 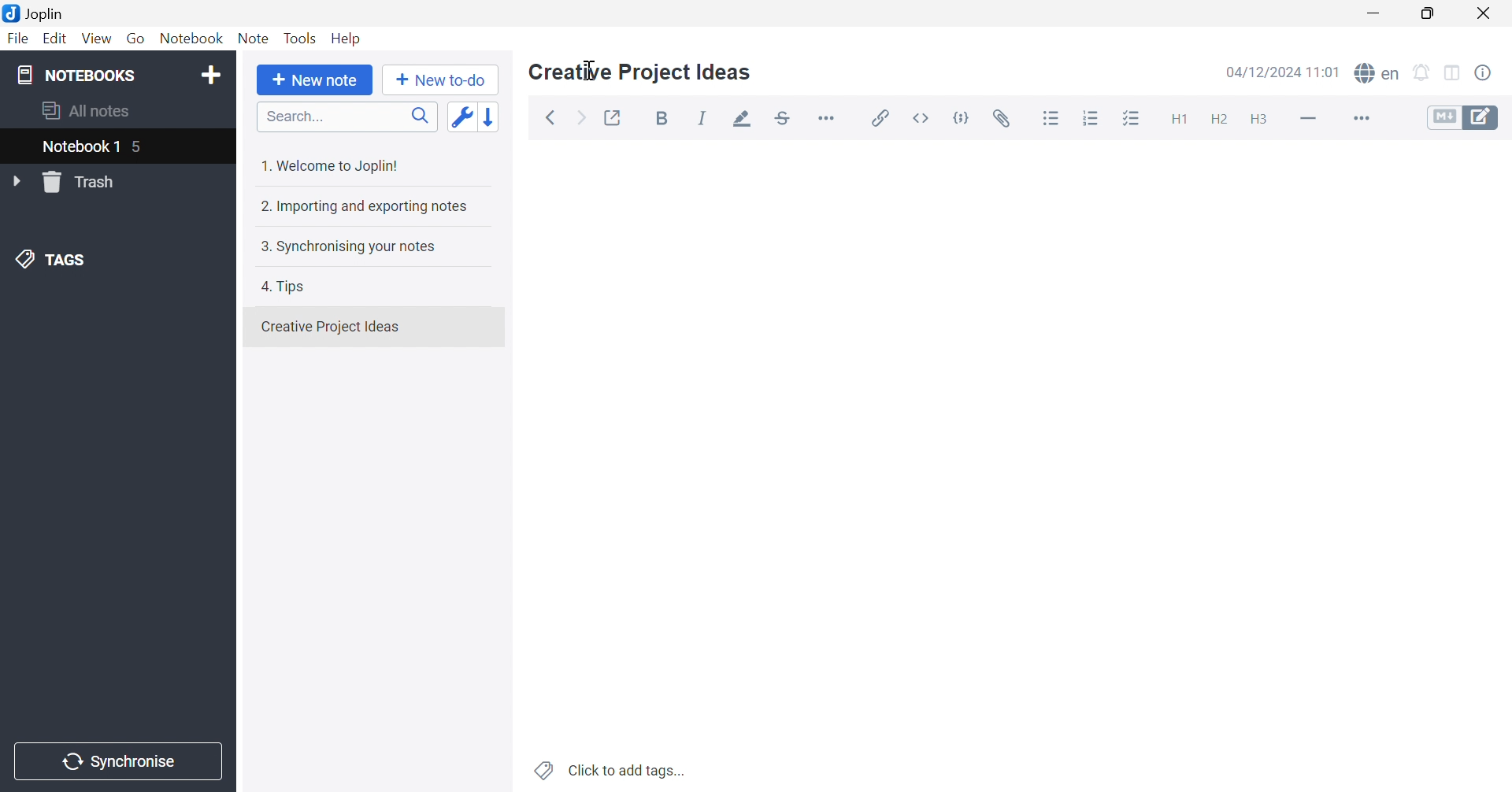 I want to click on Creative Projects Ideas, so click(x=330, y=327).